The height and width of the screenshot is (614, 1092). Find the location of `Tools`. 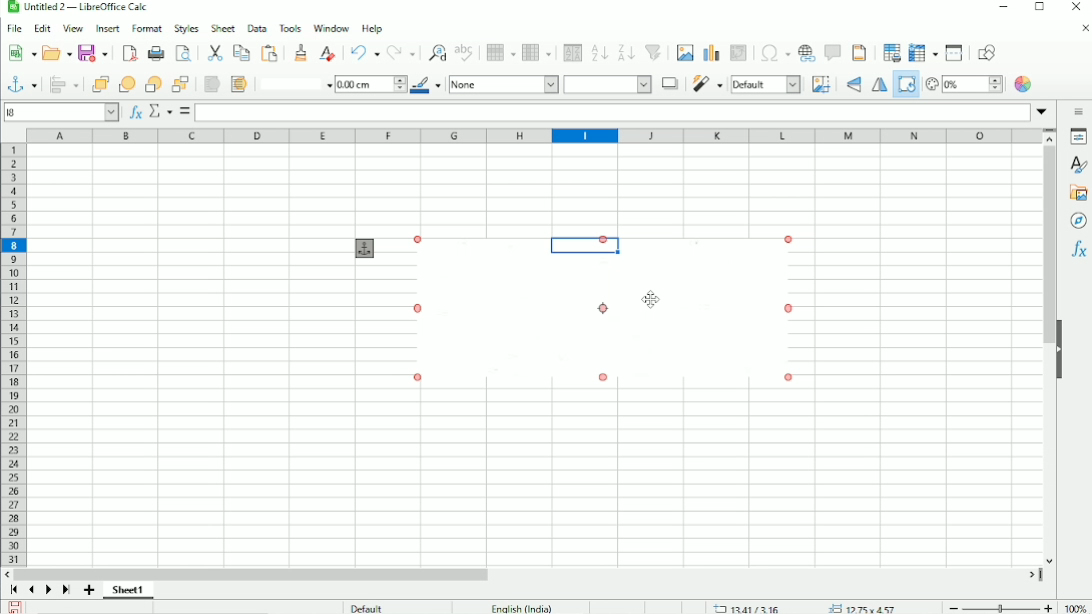

Tools is located at coordinates (291, 29).